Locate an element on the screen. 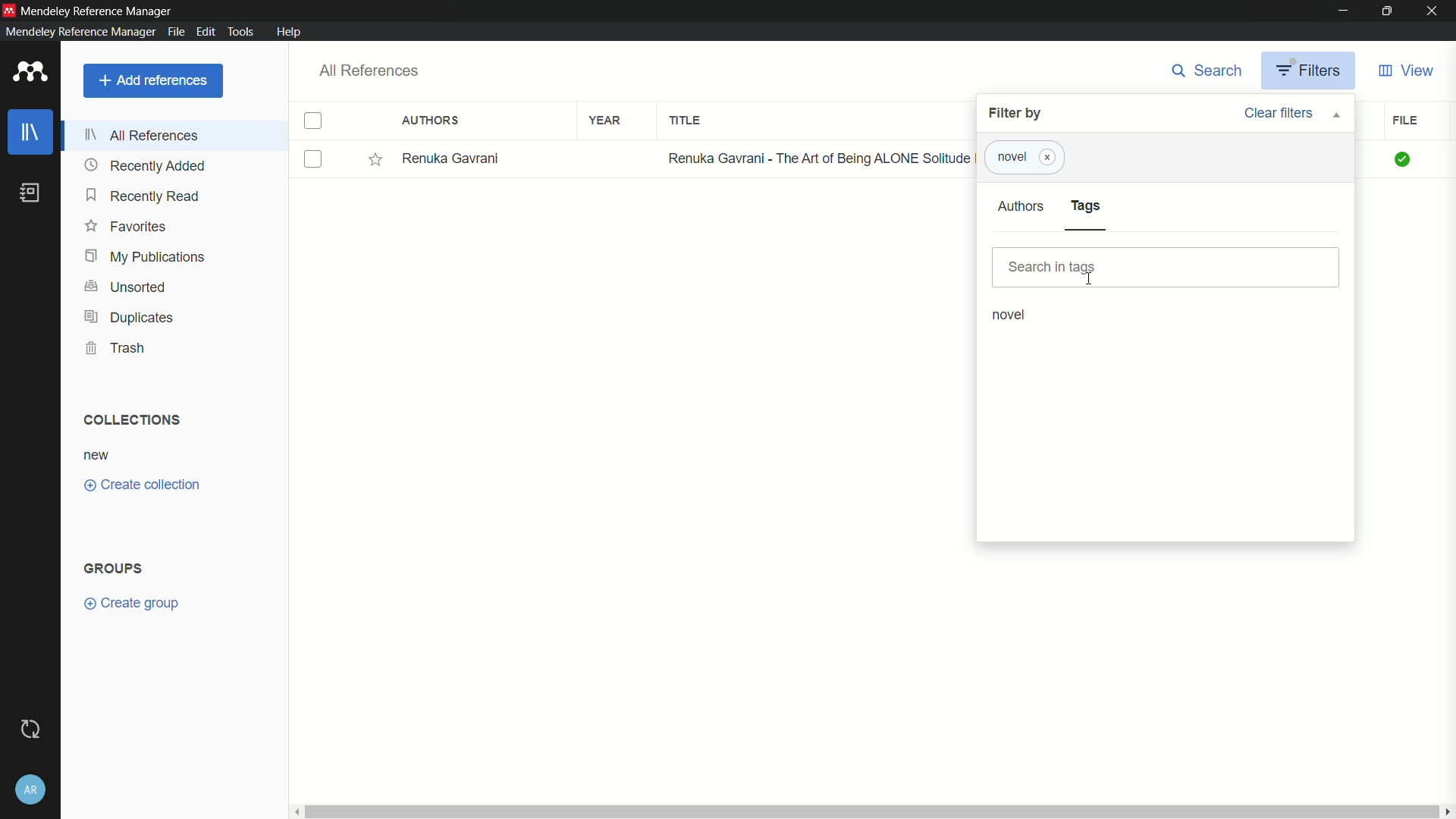 This screenshot has width=1456, height=819. Horizontal scroll bar is located at coordinates (869, 810).